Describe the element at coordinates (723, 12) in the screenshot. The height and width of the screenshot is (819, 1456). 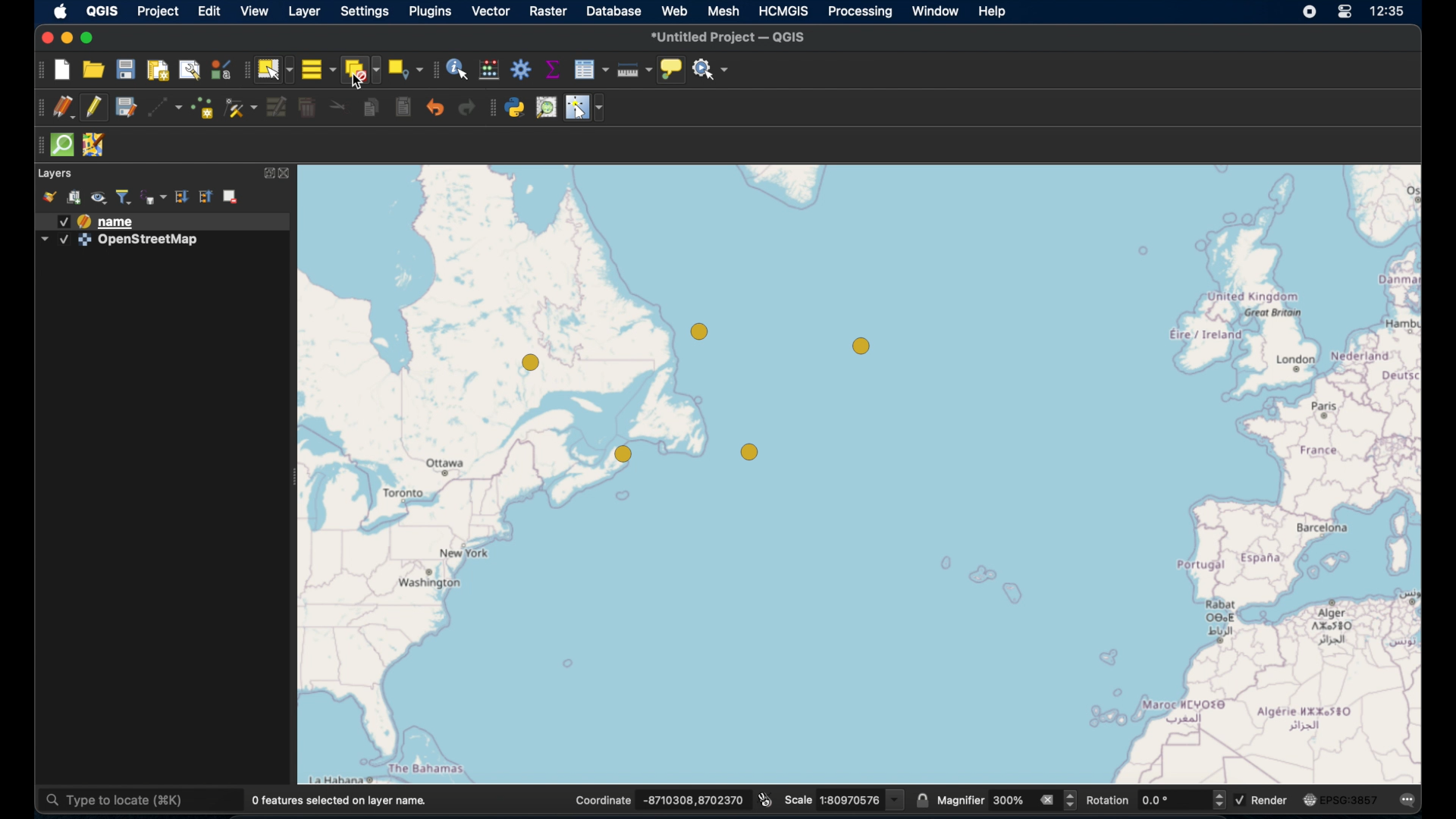
I see `mesh` at that location.